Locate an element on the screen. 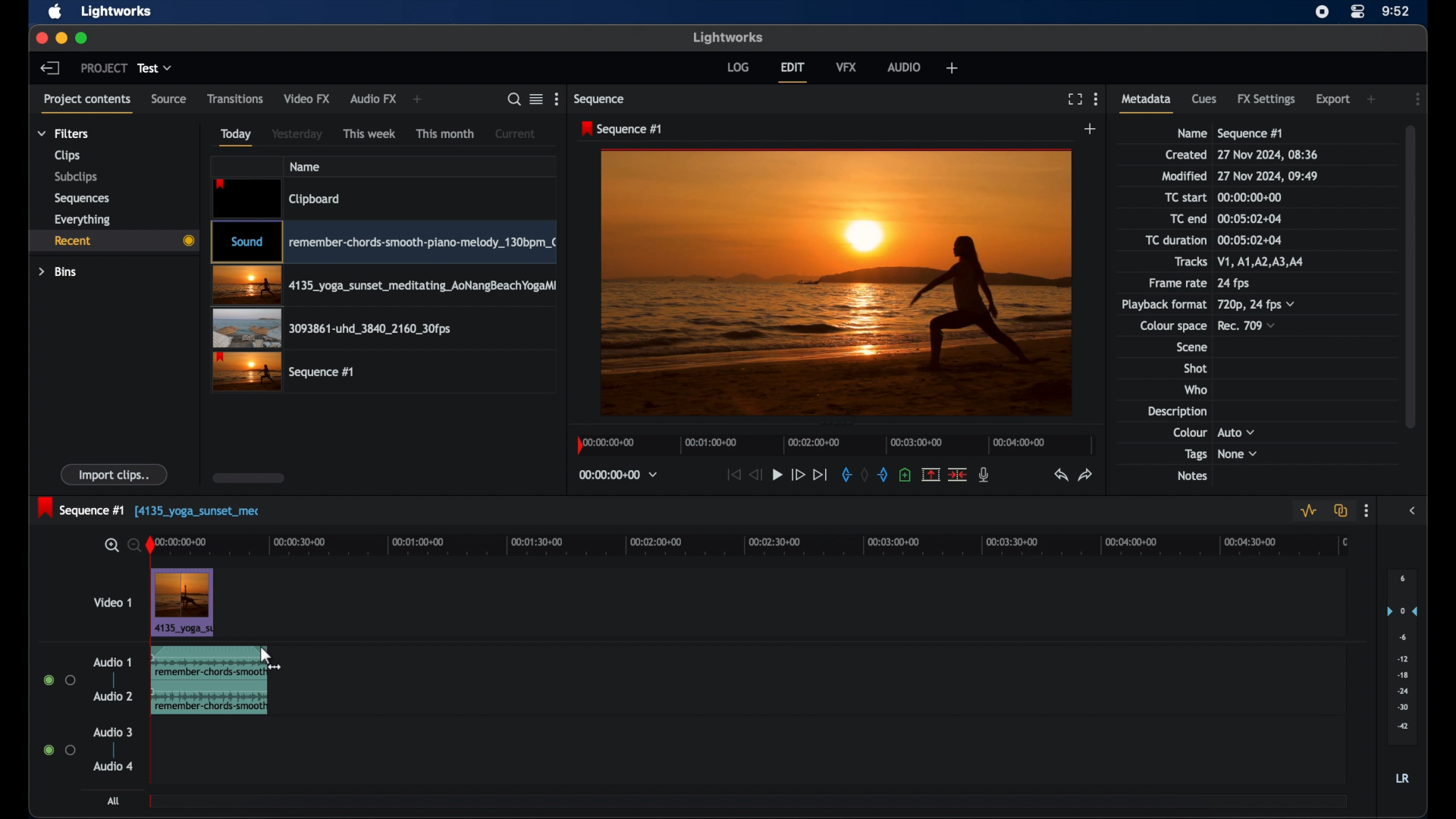 This screenshot has height=819, width=1456. timeline scale is located at coordinates (836, 445).